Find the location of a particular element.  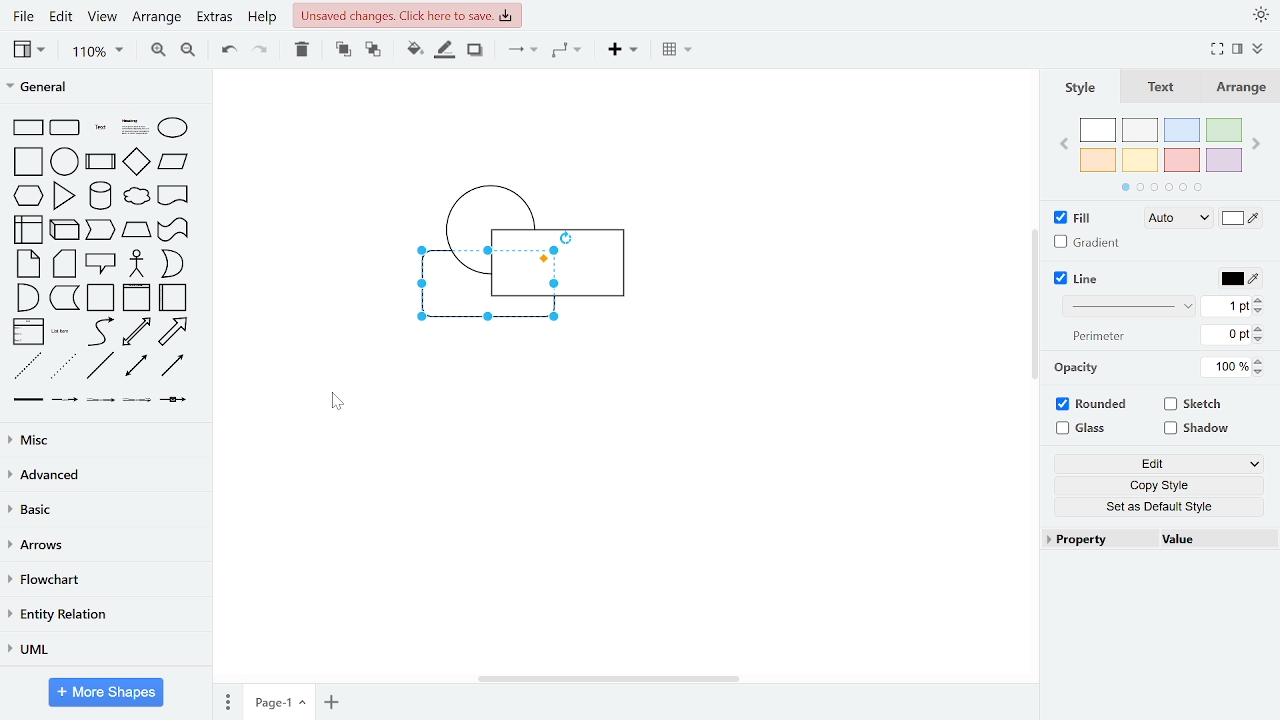

and is located at coordinates (27, 297).